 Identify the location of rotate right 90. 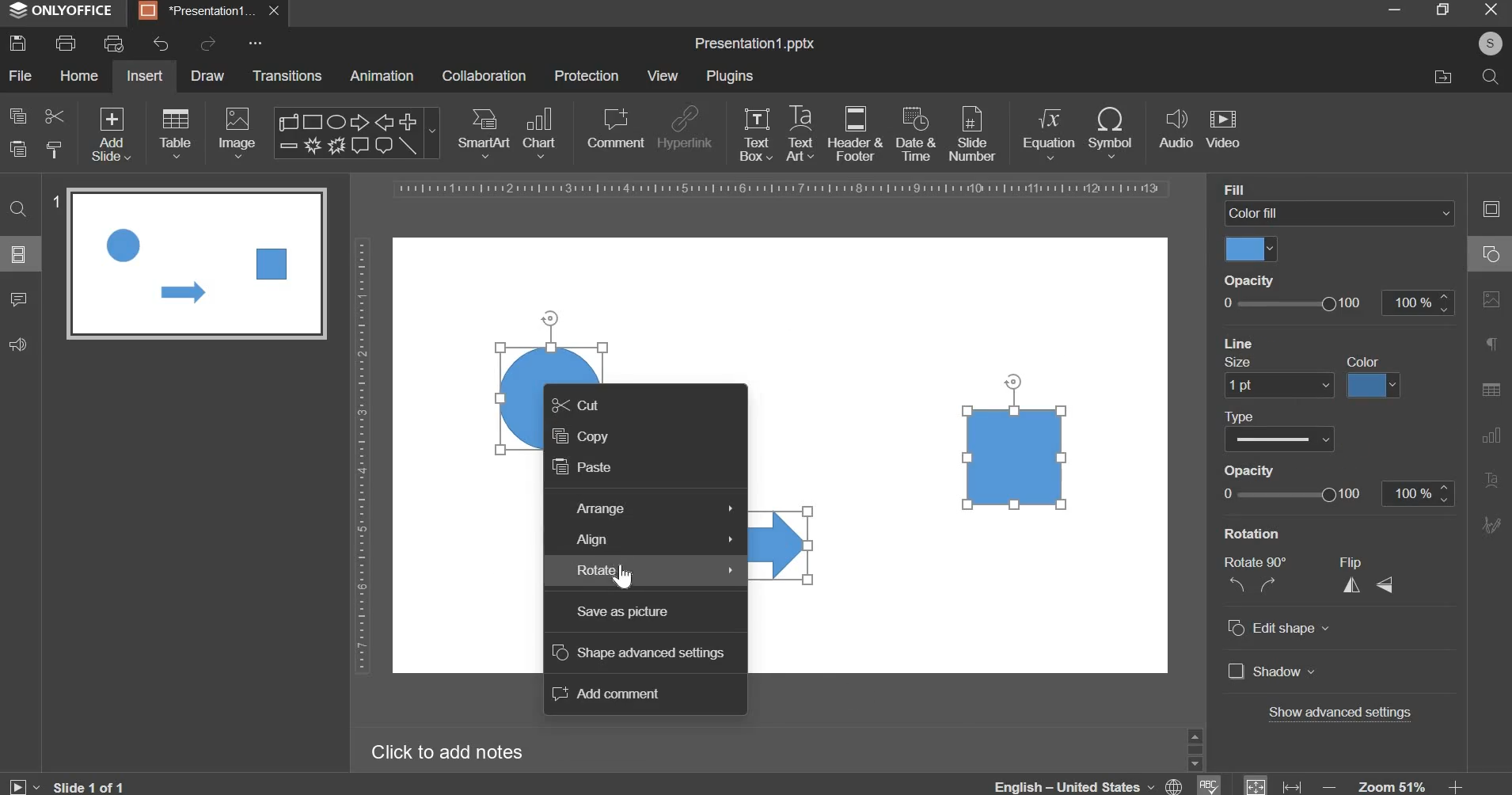
(1271, 585).